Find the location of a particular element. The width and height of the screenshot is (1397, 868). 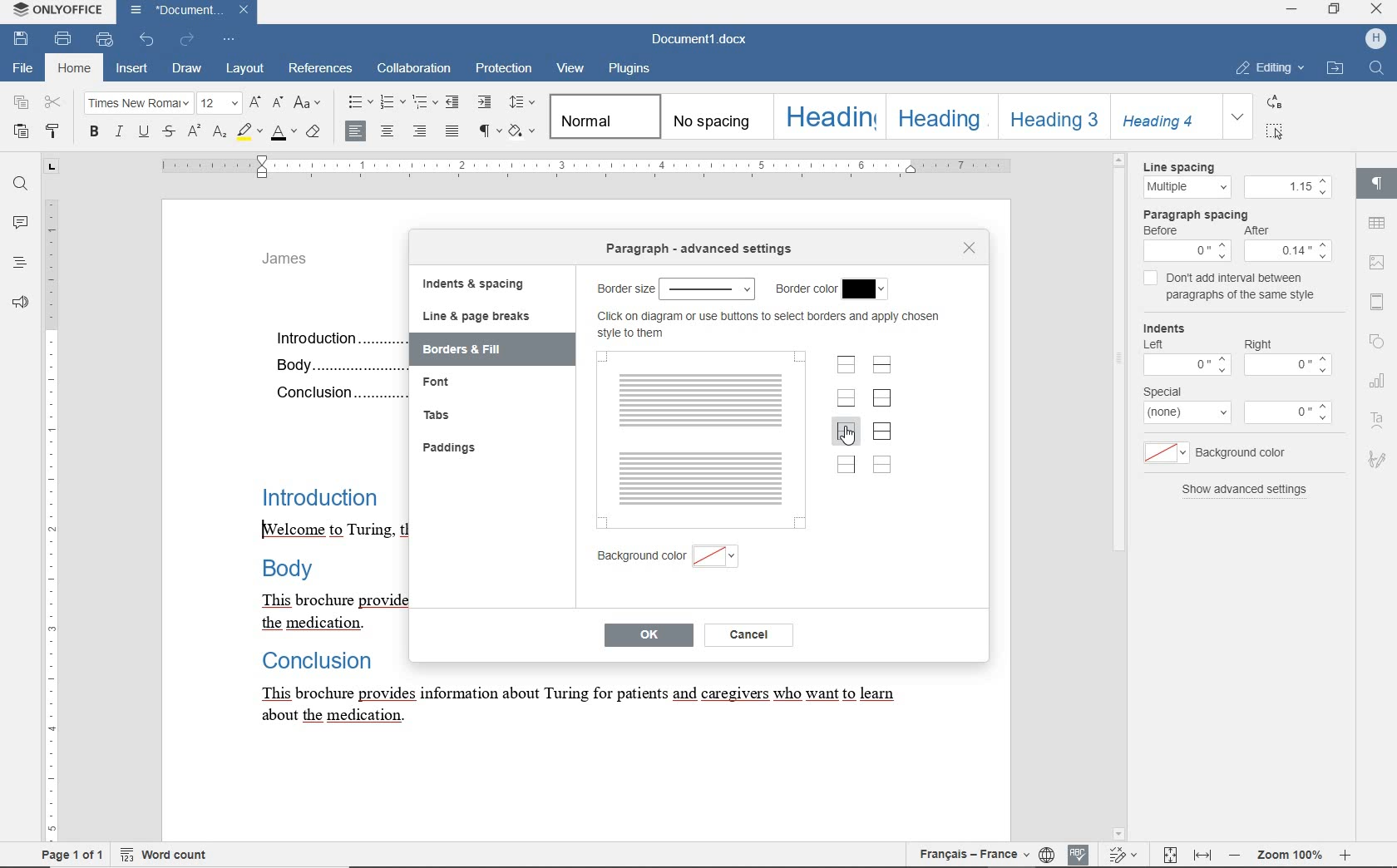

zoom out is located at coordinates (1237, 855).